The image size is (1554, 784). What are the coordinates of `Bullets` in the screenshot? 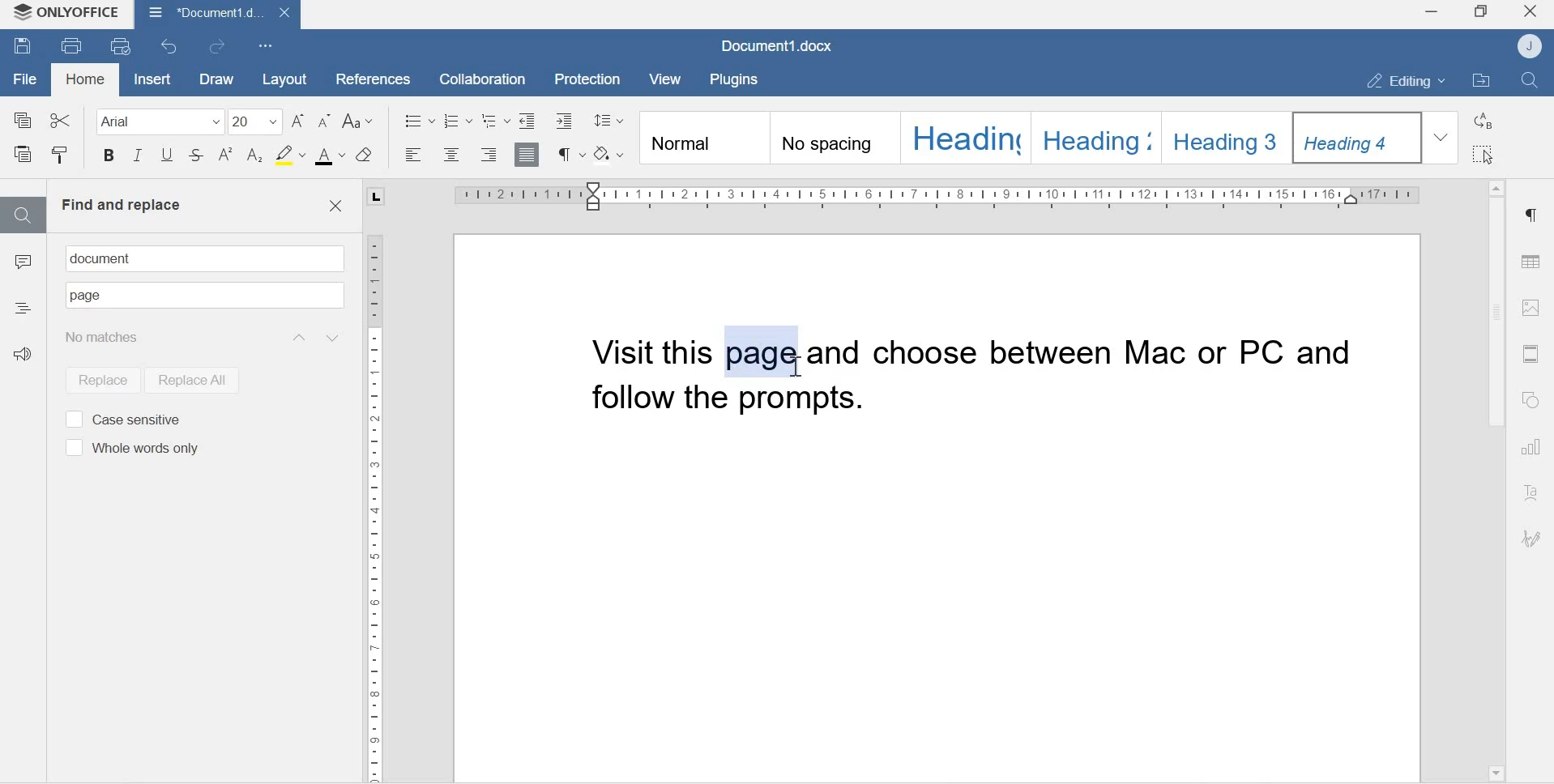 It's located at (419, 119).